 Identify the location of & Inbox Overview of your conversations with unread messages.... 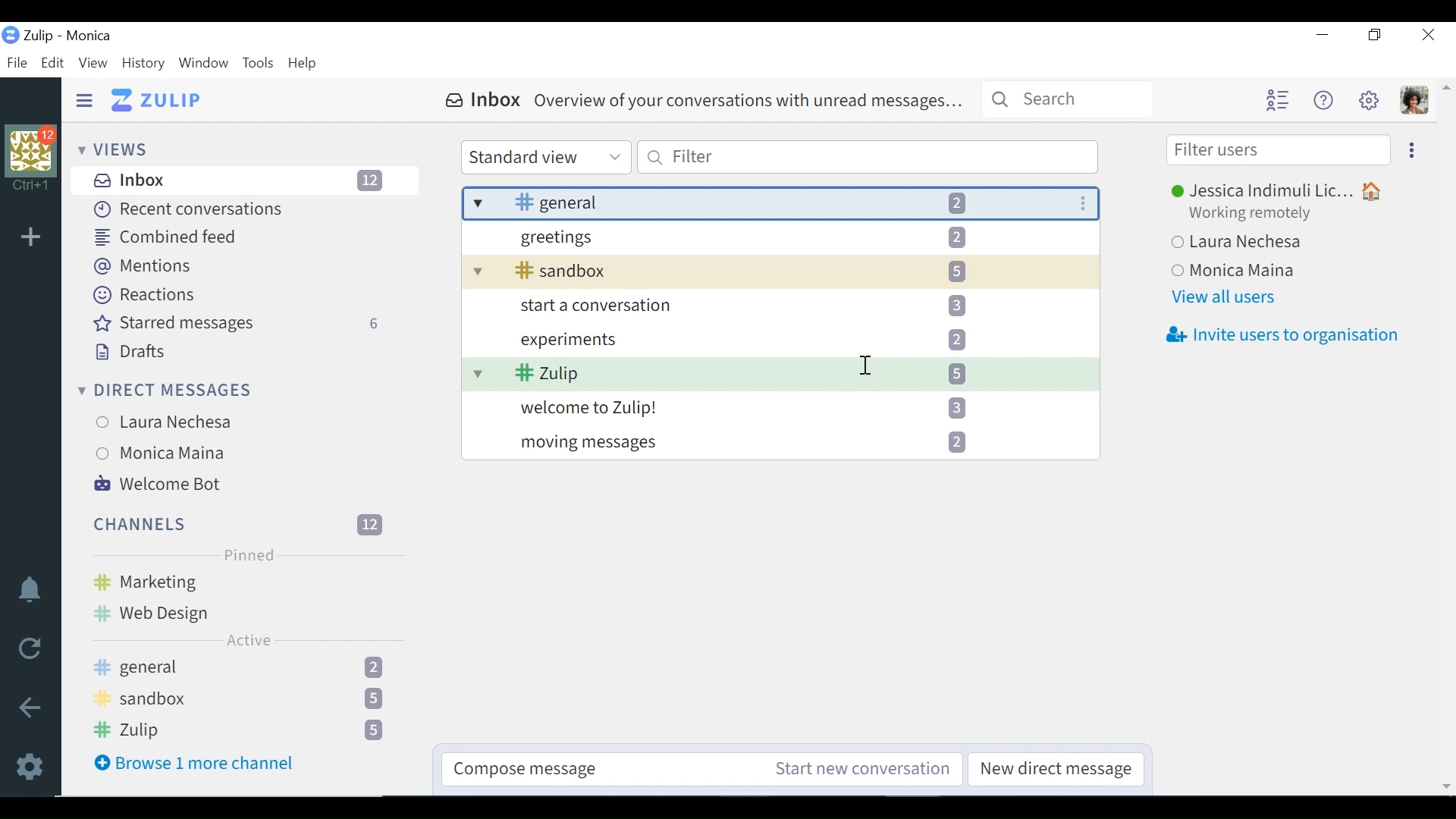
(708, 102).